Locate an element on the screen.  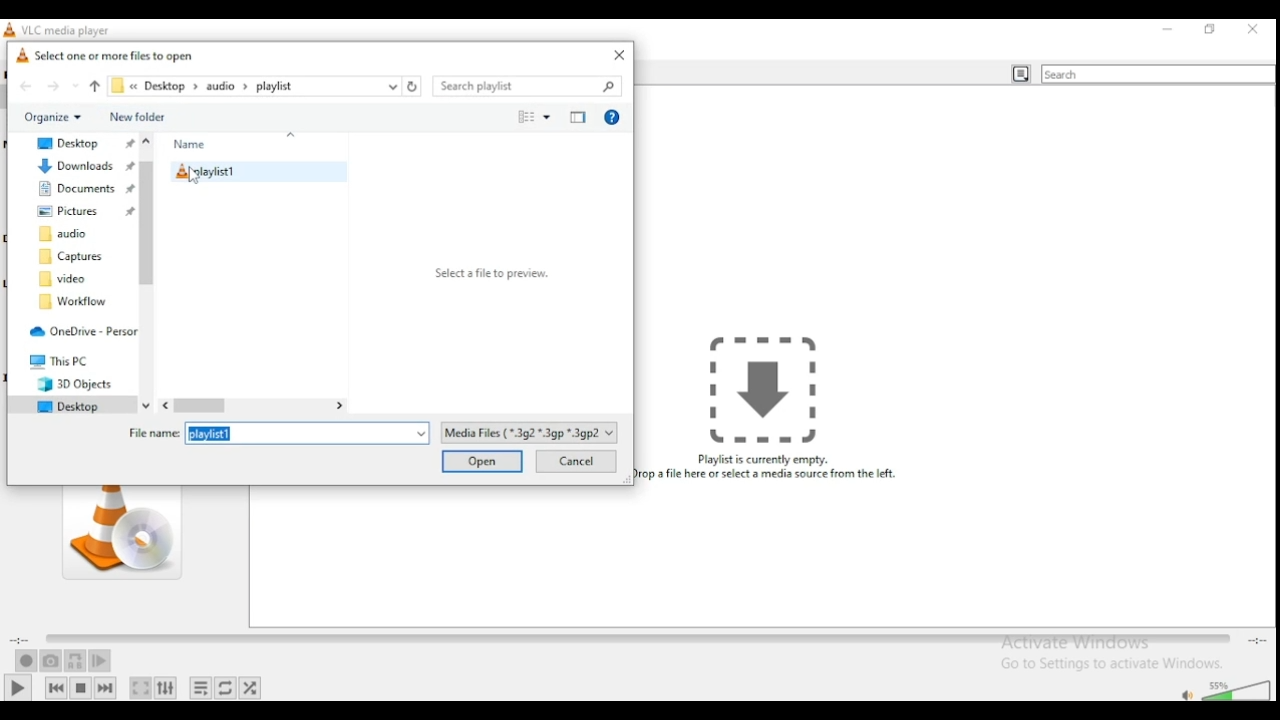
icon is located at coordinates (10, 30).